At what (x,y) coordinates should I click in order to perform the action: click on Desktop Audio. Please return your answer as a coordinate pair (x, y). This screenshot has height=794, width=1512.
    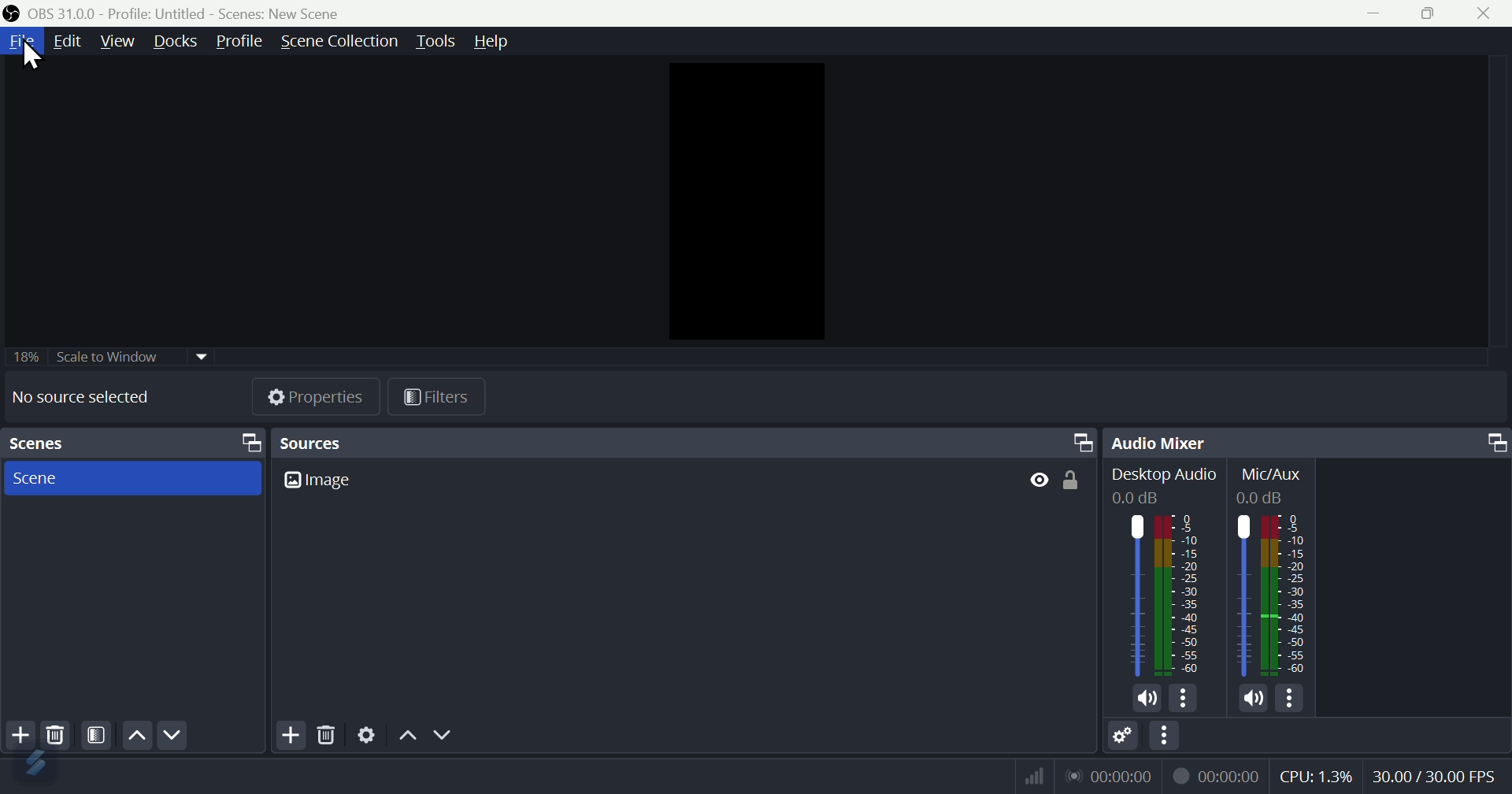
    Looking at the image, I should click on (1167, 482).